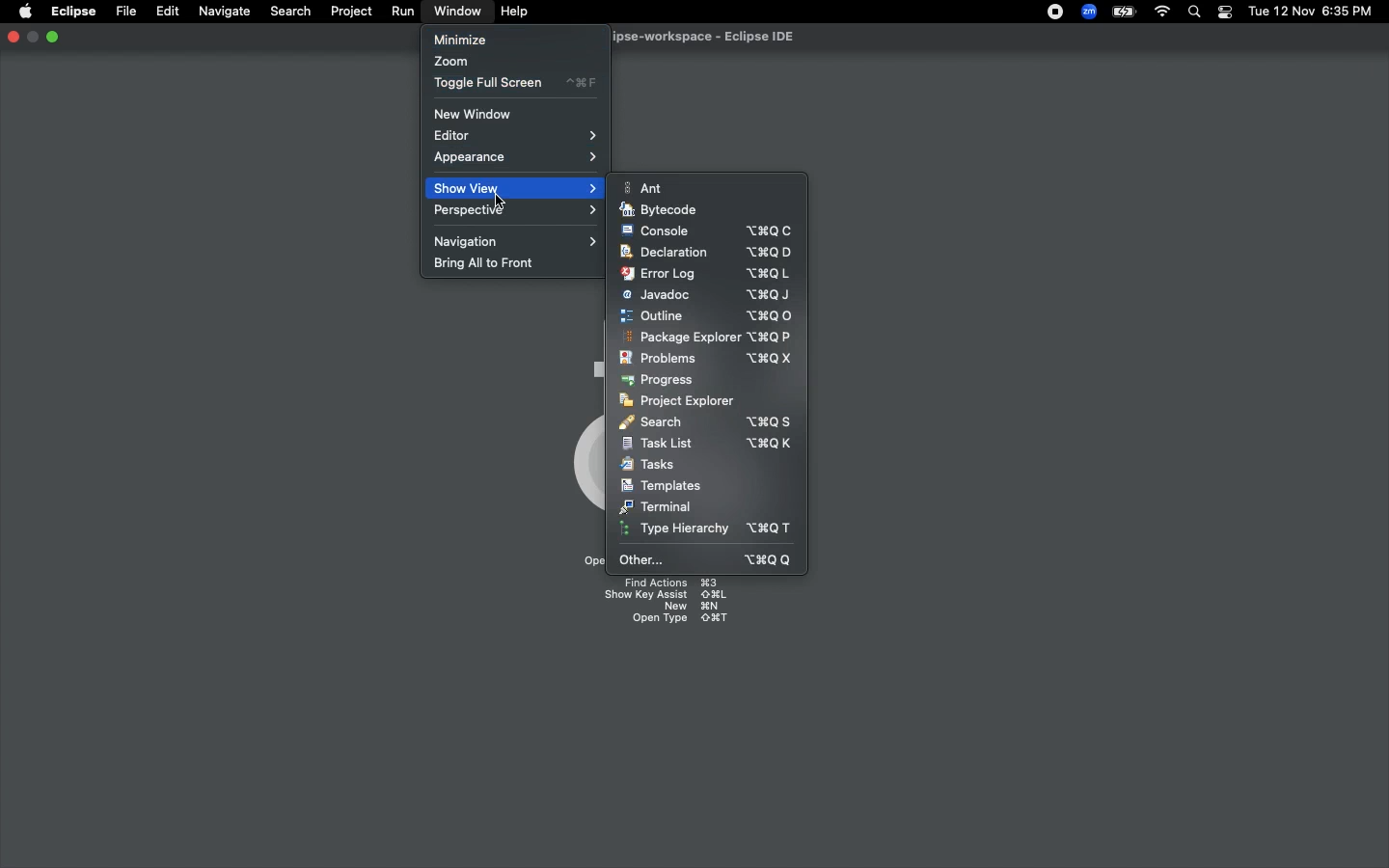 The width and height of the screenshot is (1389, 868). I want to click on Minimize, so click(52, 36).